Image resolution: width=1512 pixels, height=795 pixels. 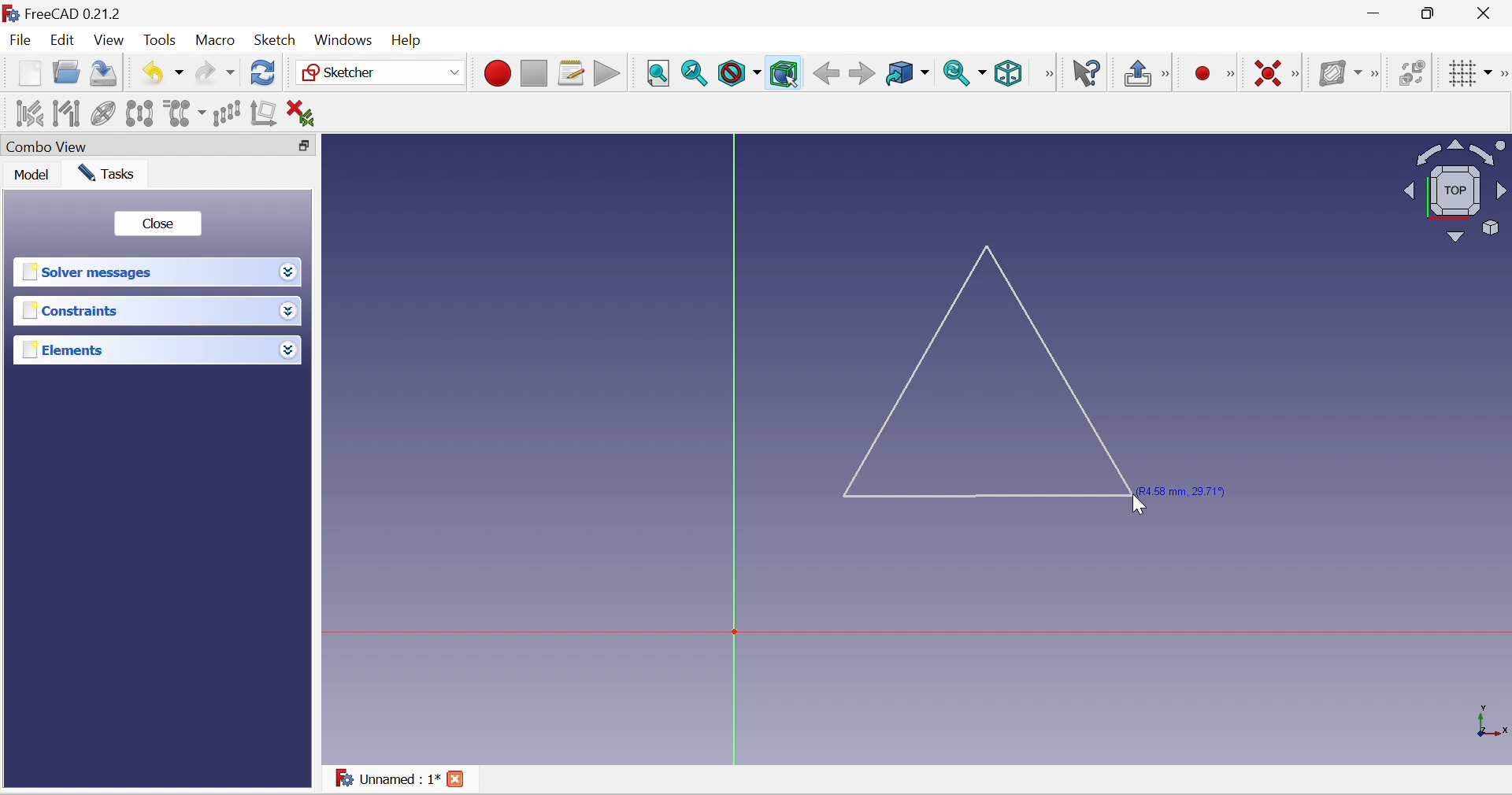 I want to click on FreeCAD 0.21.2, so click(x=63, y=13).